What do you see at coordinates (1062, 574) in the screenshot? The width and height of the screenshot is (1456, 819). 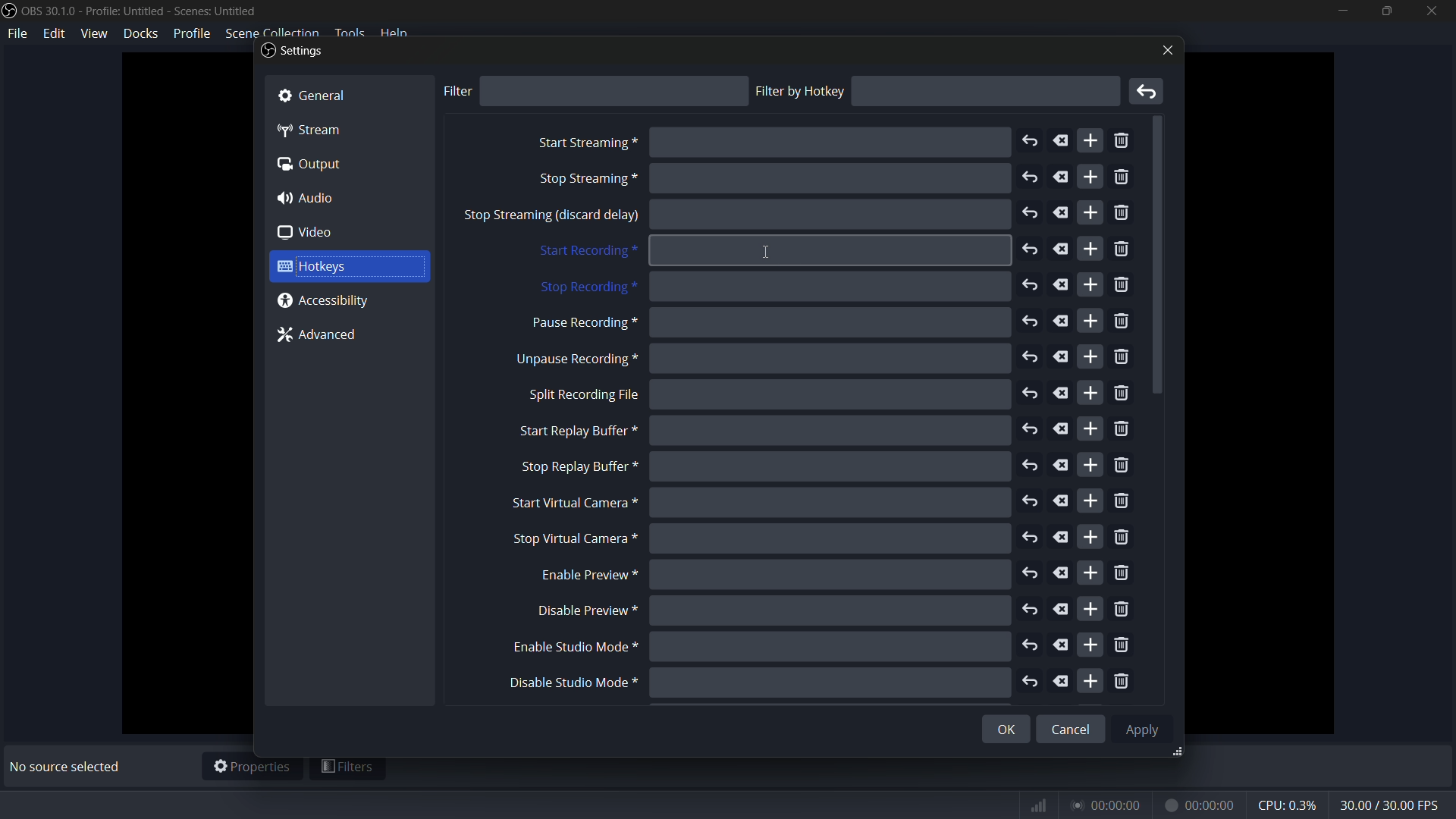 I see `delete` at bounding box center [1062, 574].